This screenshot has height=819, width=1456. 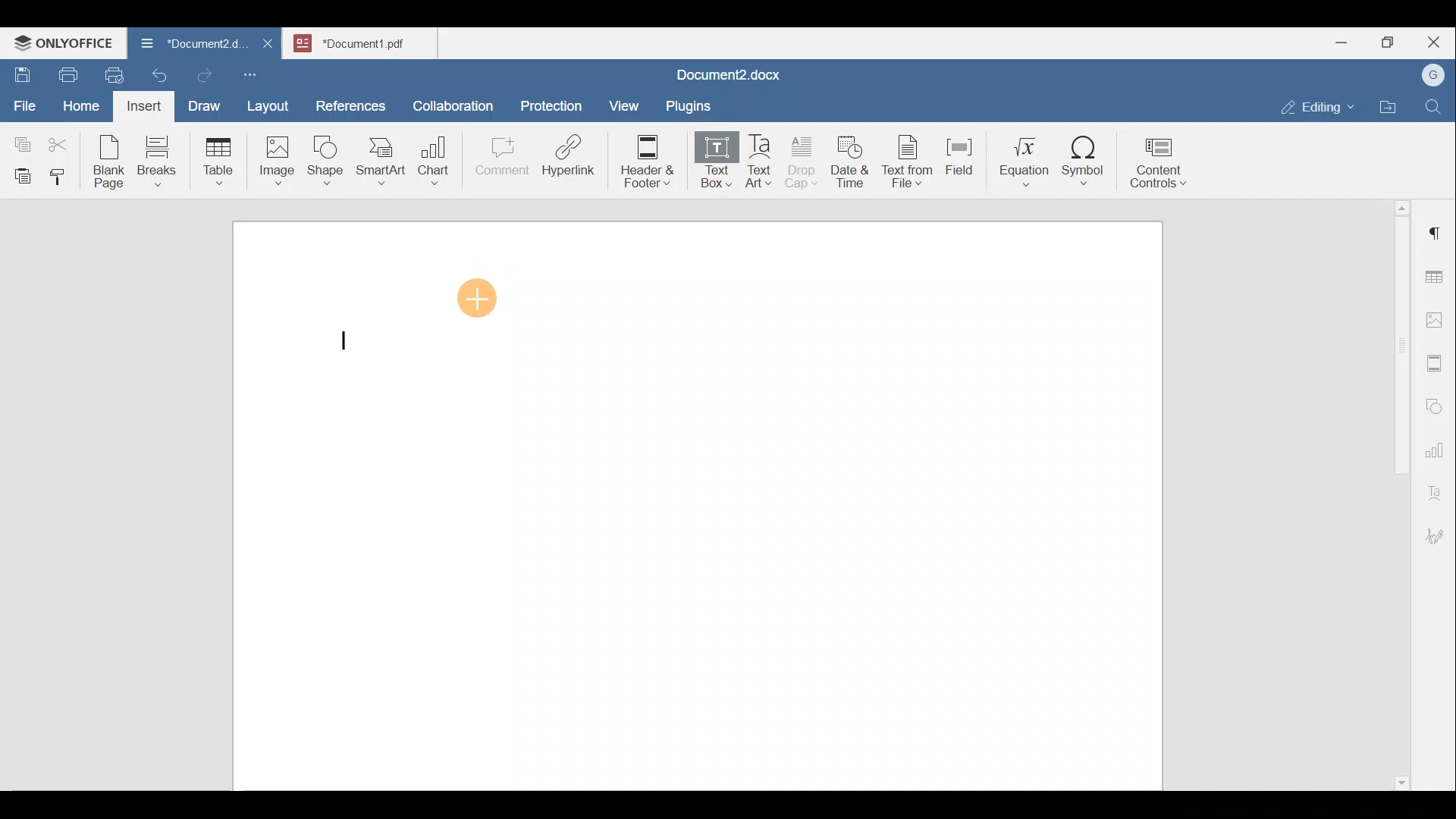 I want to click on Save, so click(x=21, y=71).